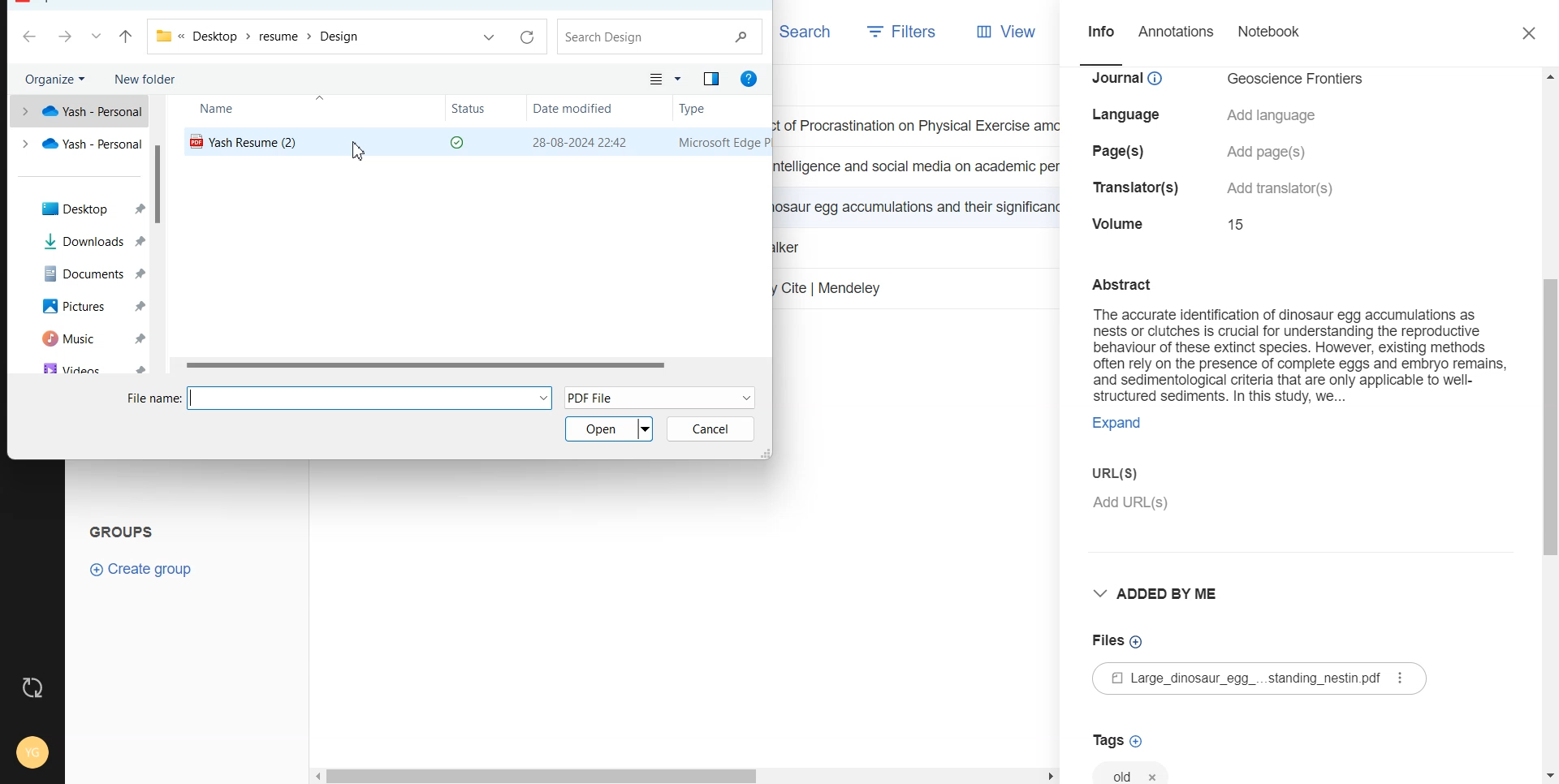 Image resolution: width=1559 pixels, height=784 pixels. What do you see at coordinates (710, 429) in the screenshot?
I see `Cancel` at bounding box center [710, 429].